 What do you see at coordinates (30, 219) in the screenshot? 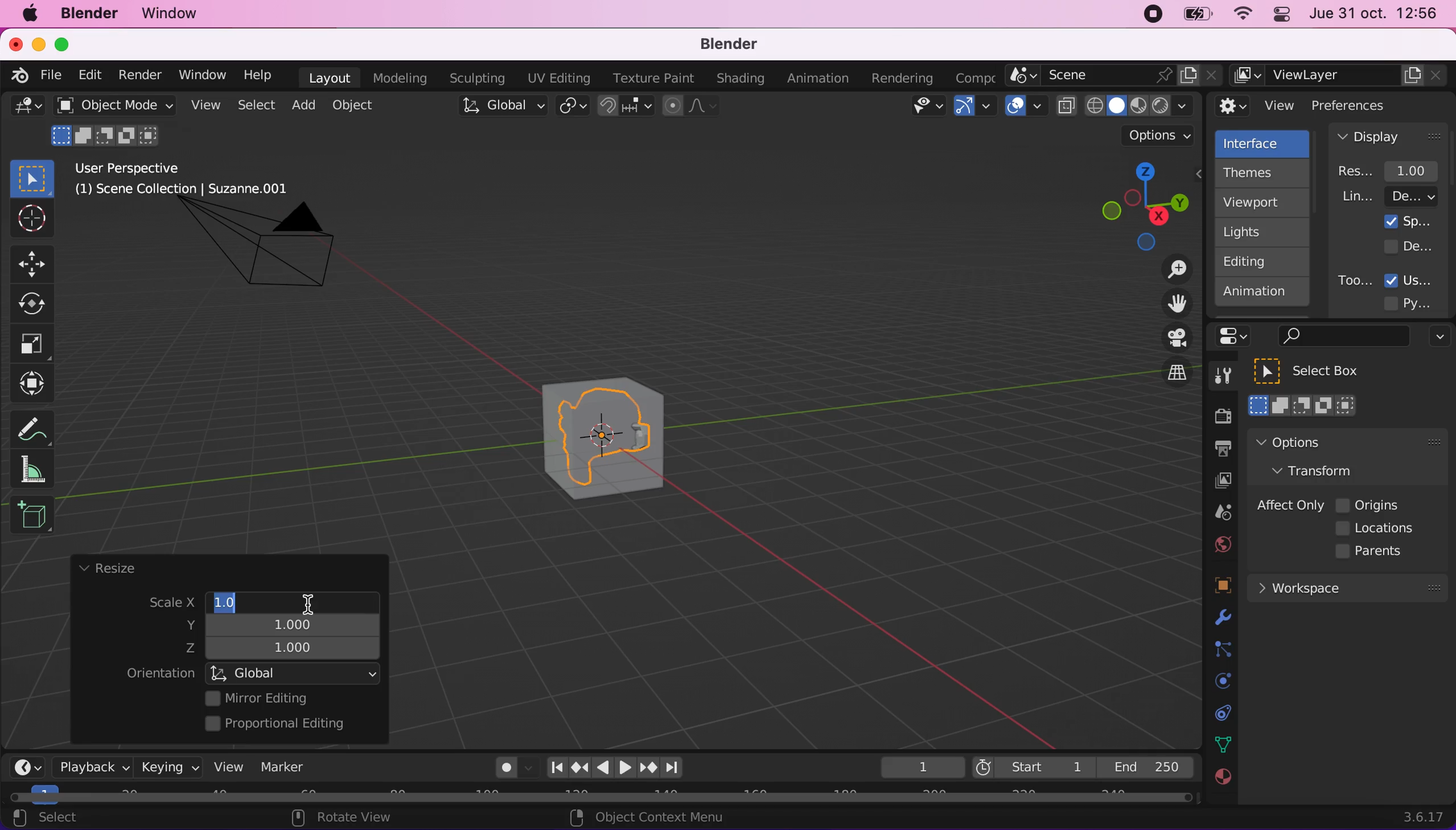
I see `` at bounding box center [30, 219].